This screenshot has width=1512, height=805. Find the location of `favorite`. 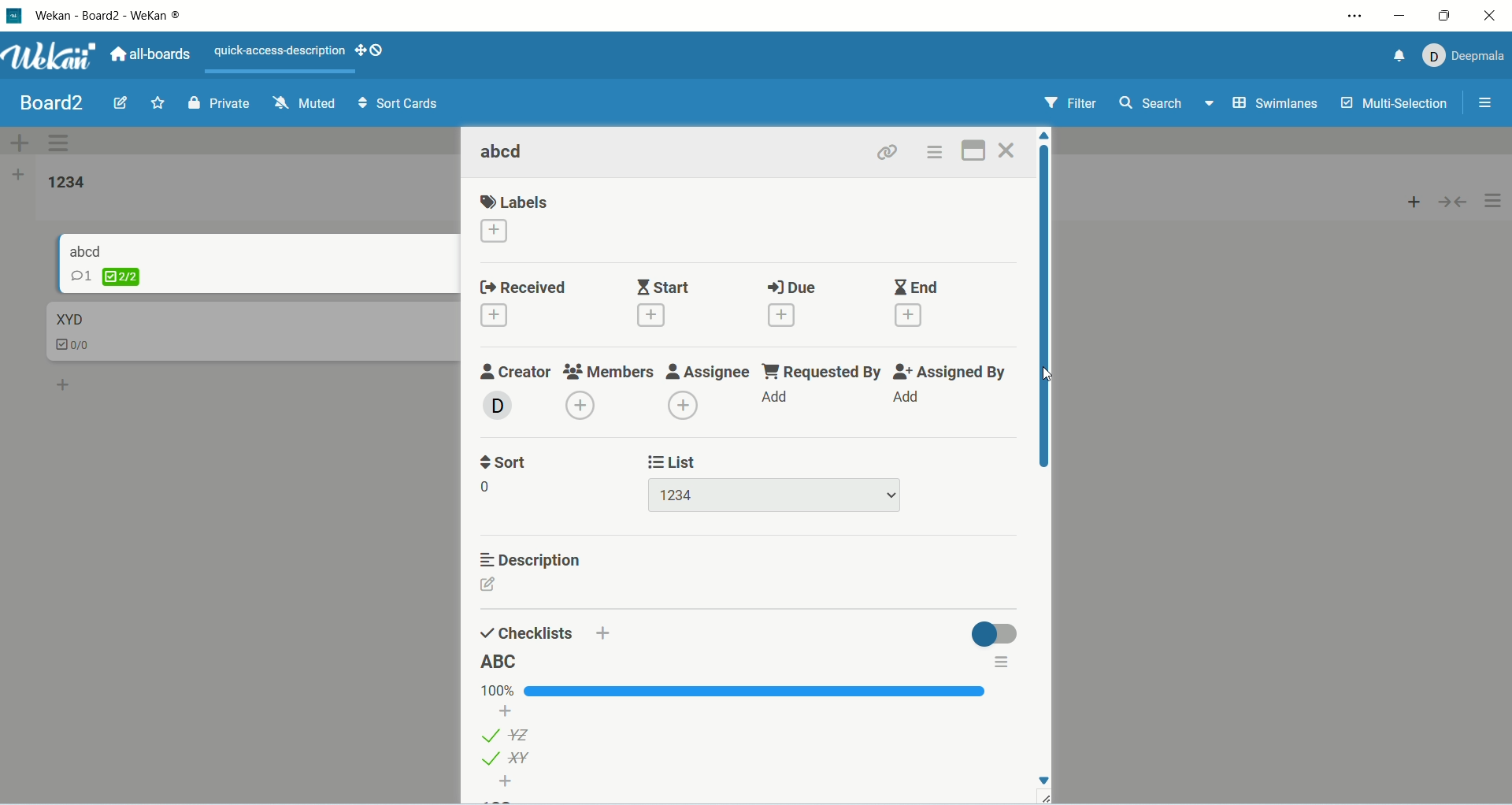

favorite is located at coordinates (157, 104).